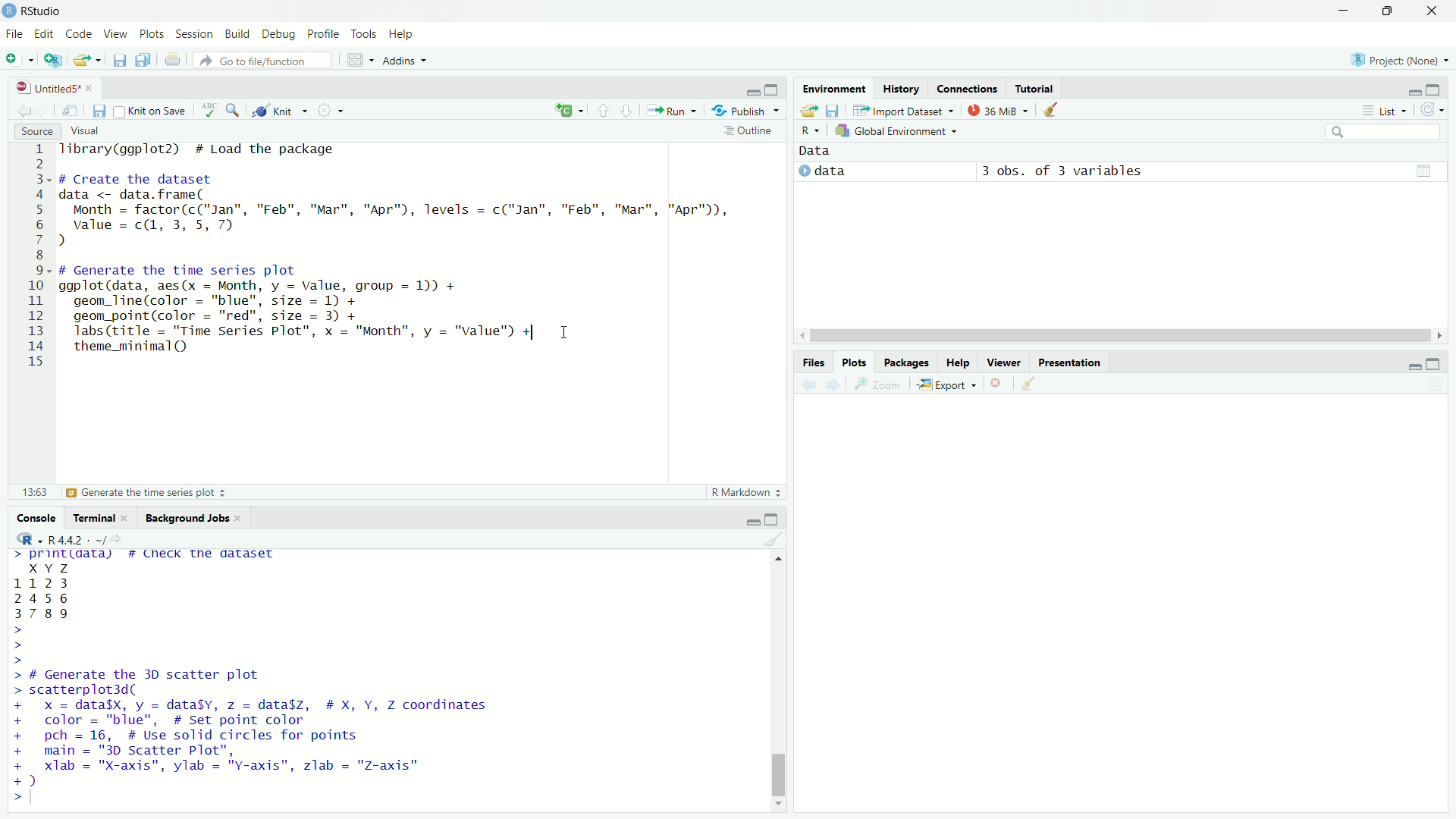  I want to click on visual, so click(88, 130).